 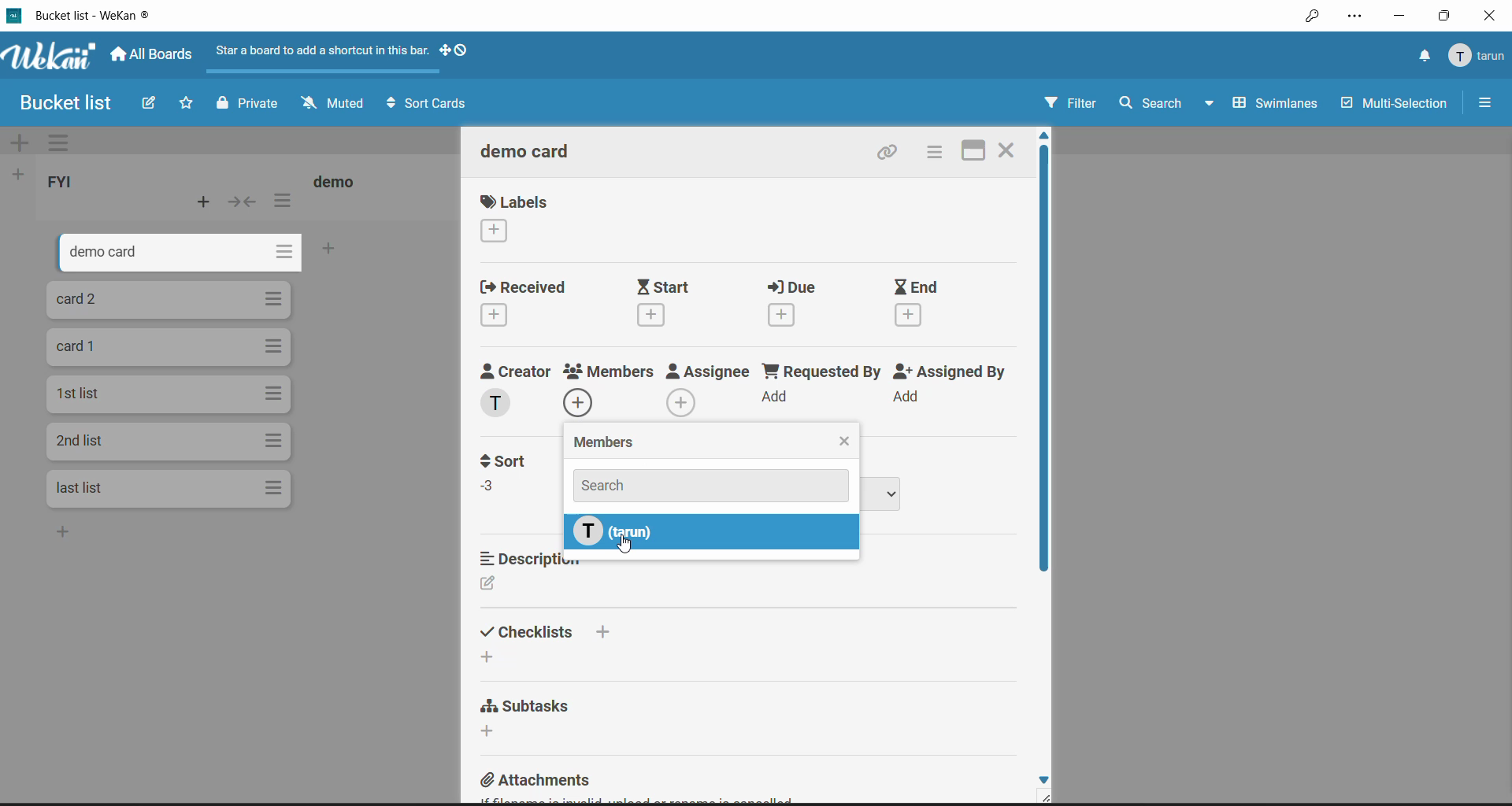 I want to click on notifications, so click(x=1421, y=56).